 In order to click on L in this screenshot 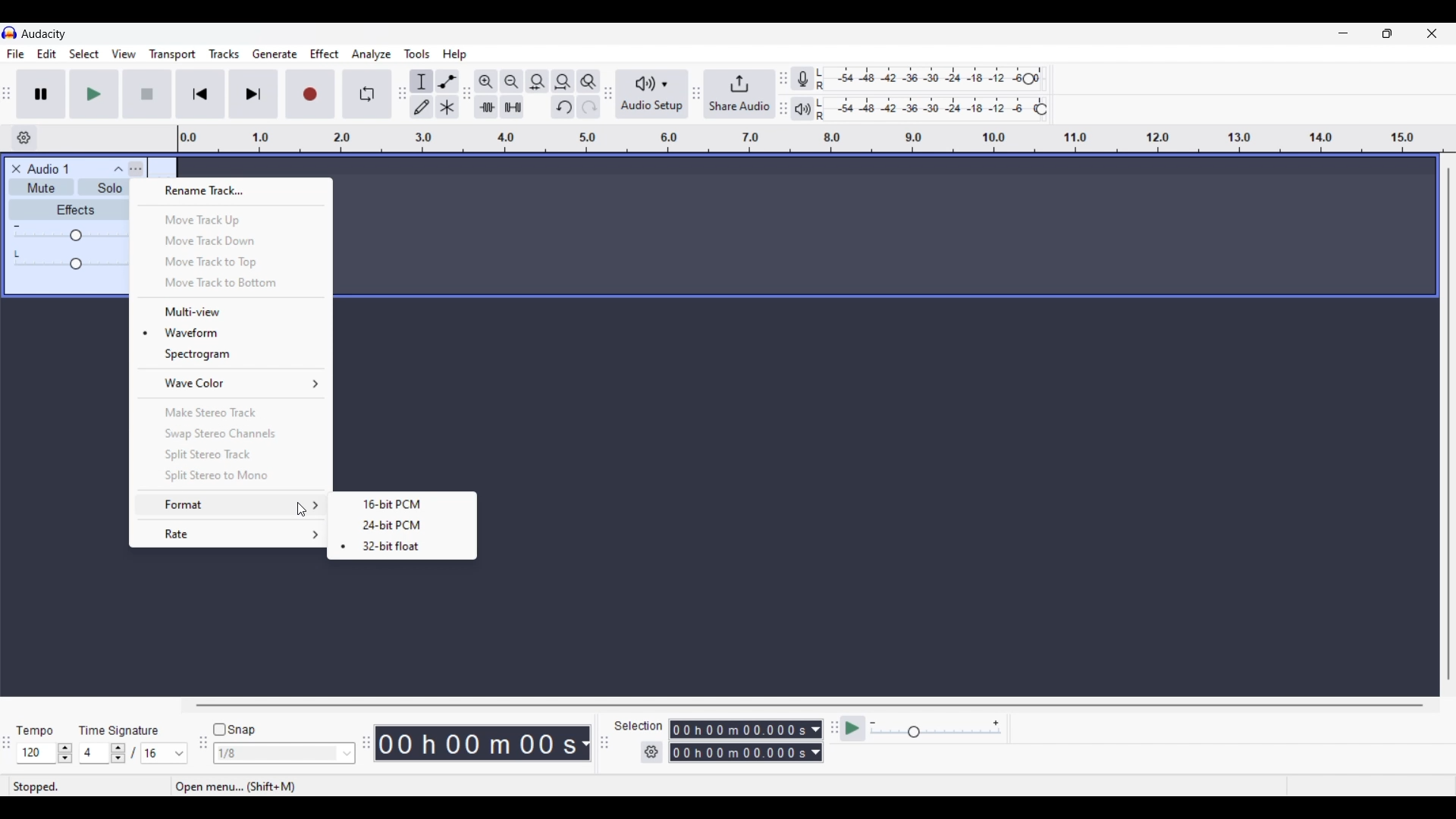, I will do `click(18, 253)`.